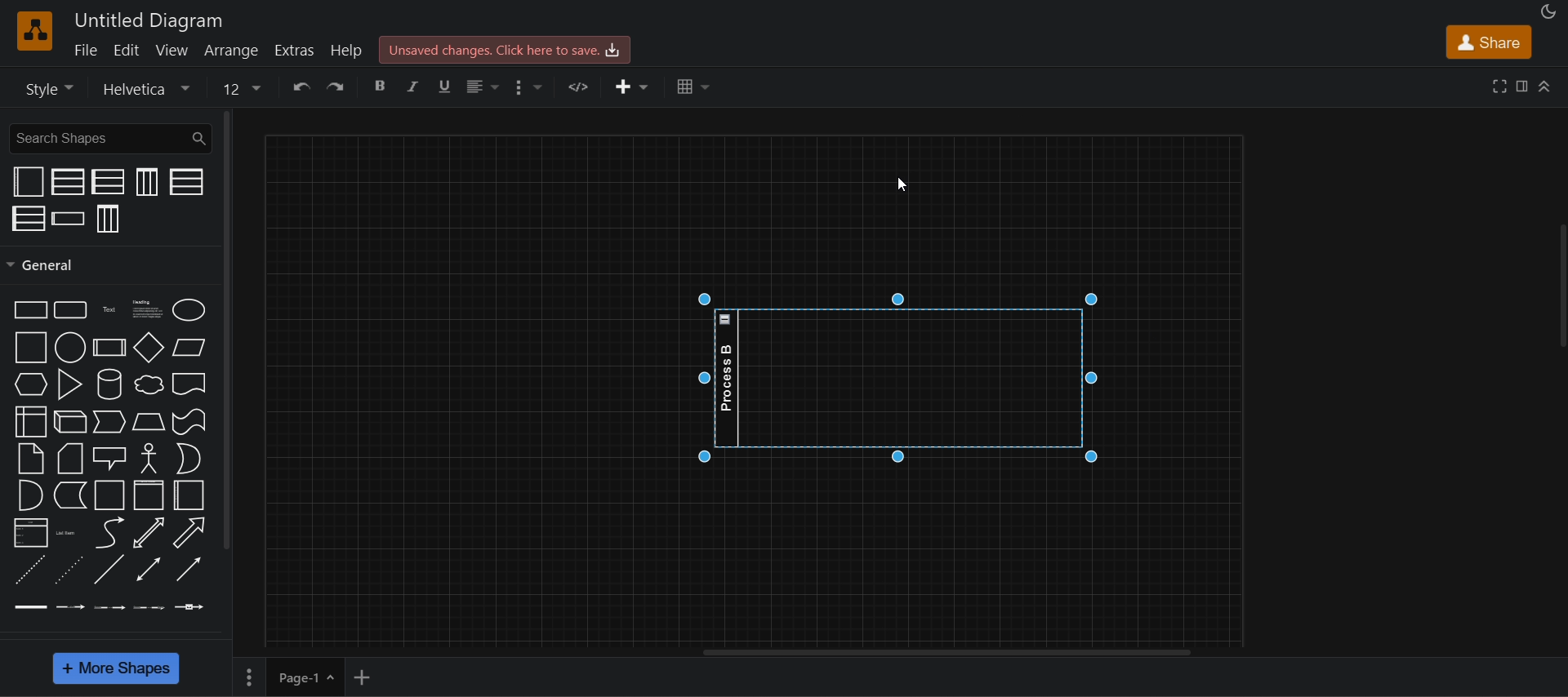 The image size is (1568, 697). Describe the element at coordinates (185, 181) in the screenshot. I see `horizontal pool 1` at that location.